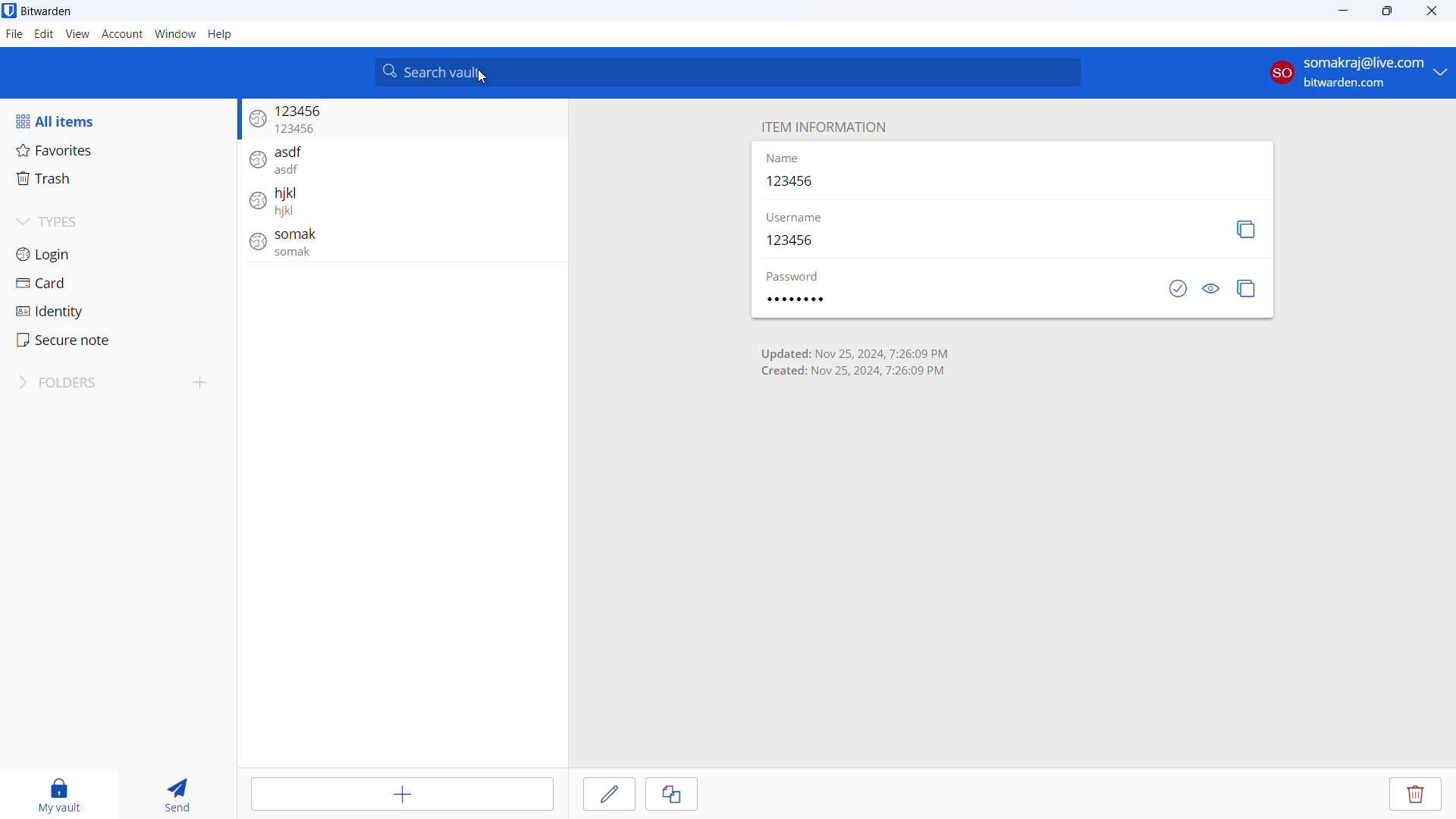 This screenshot has height=819, width=1456. What do you see at coordinates (117, 310) in the screenshot?
I see `identity` at bounding box center [117, 310].